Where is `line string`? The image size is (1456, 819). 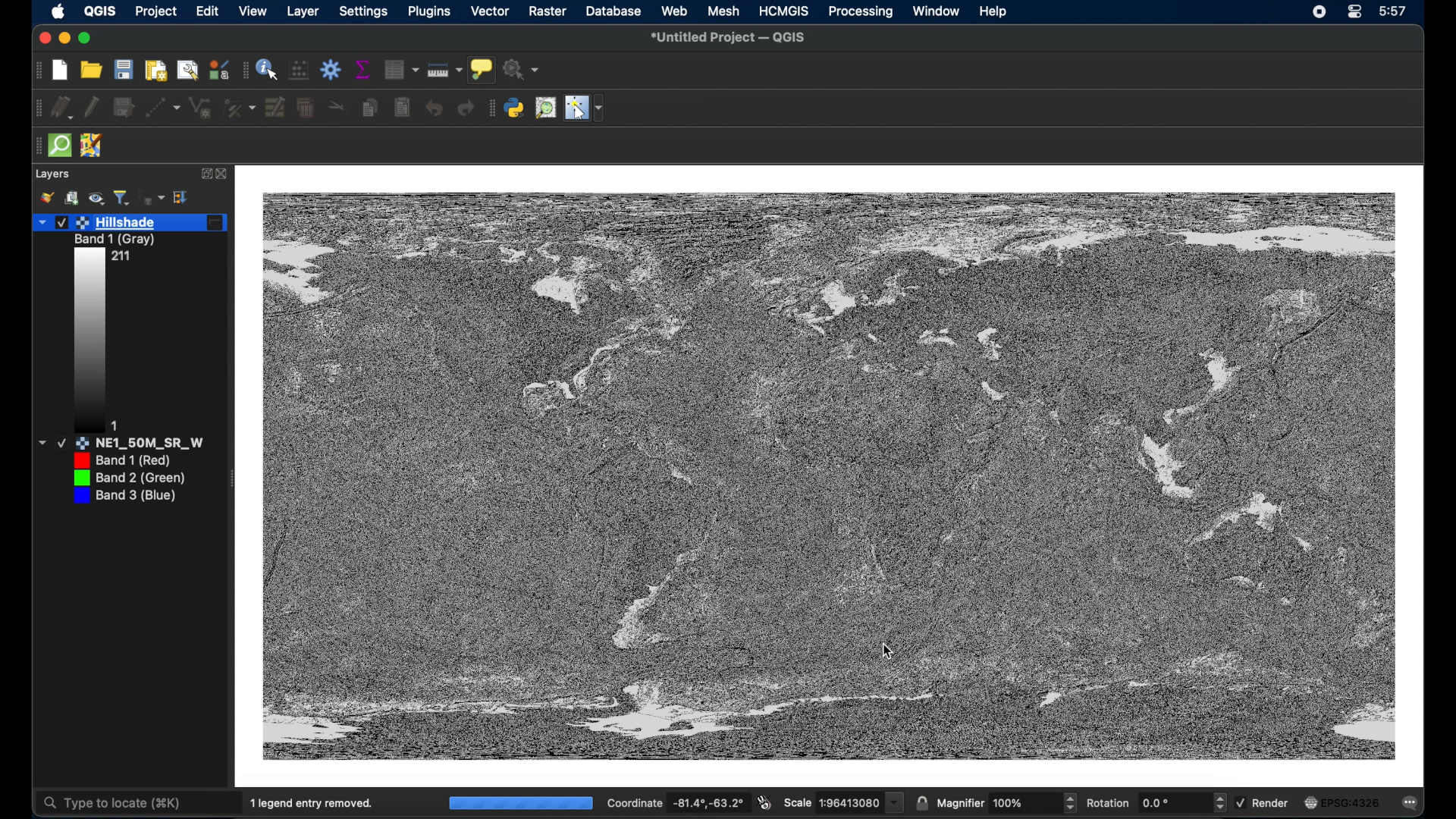
line string is located at coordinates (200, 108).